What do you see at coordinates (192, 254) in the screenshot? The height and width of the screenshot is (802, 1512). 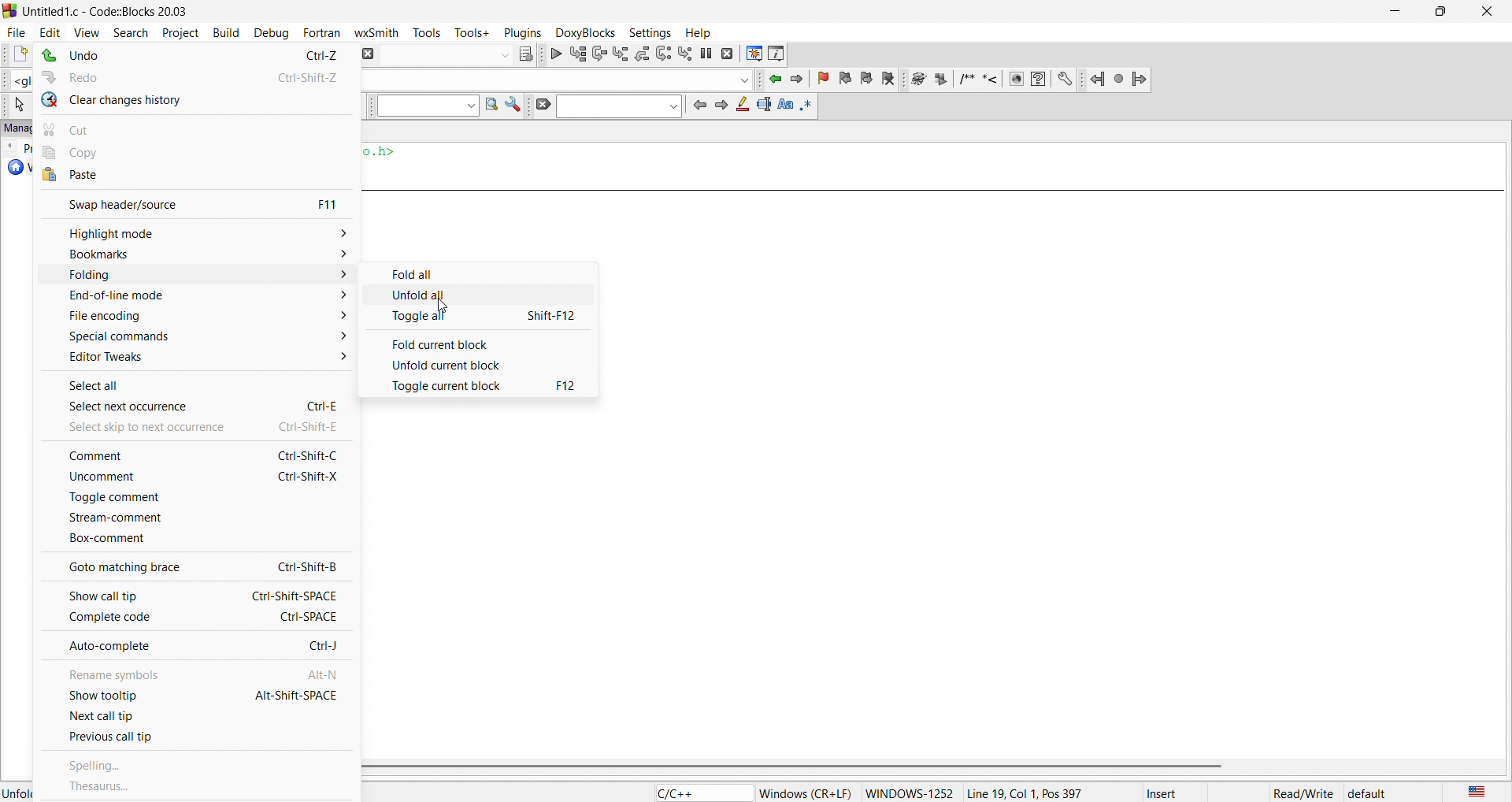 I see `bookmarks` at bounding box center [192, 254].